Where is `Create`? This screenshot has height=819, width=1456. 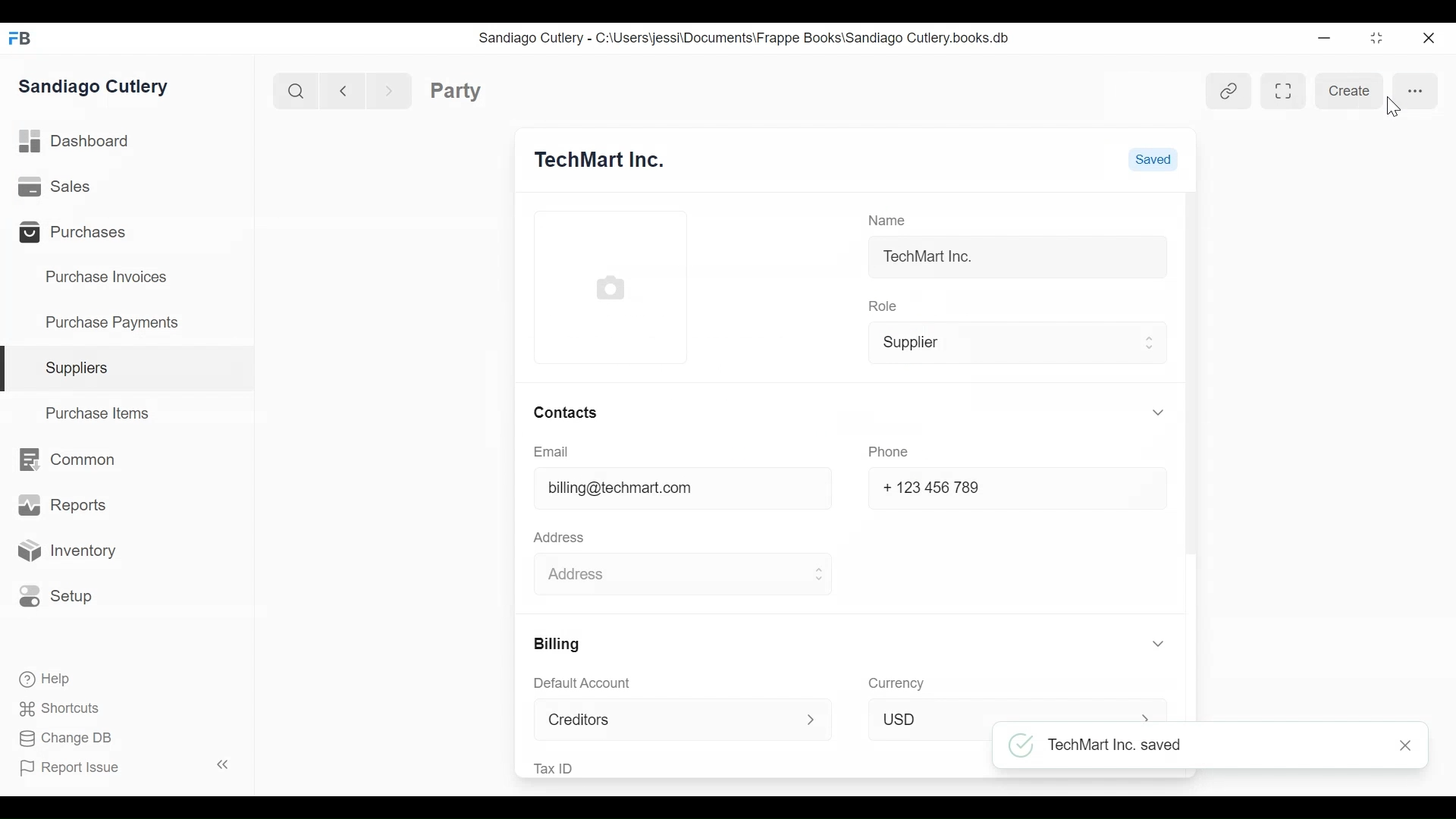
Create is located at coordinates (1343, 91).